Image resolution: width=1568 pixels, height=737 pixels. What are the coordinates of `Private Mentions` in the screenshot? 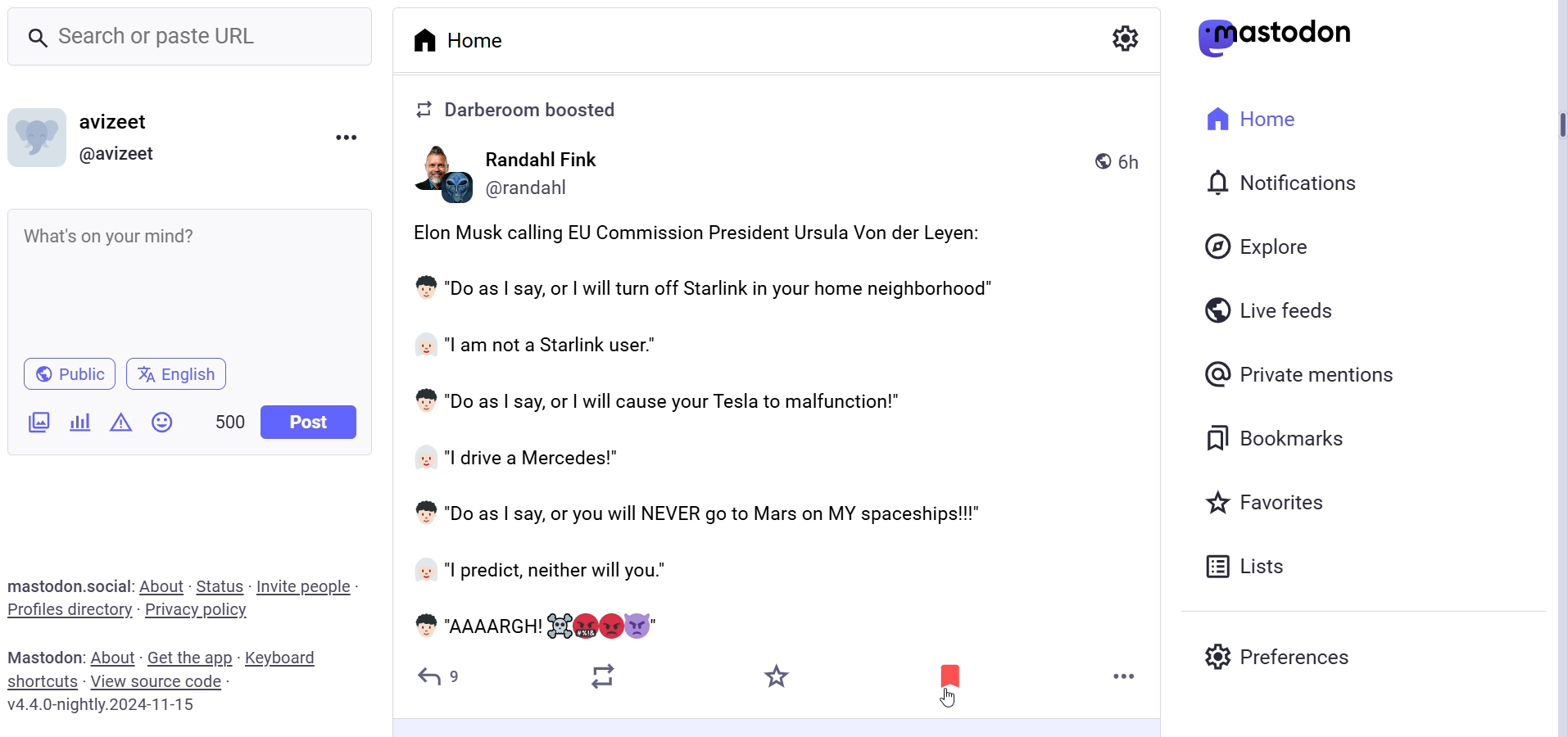 It's located at (1298, 373).